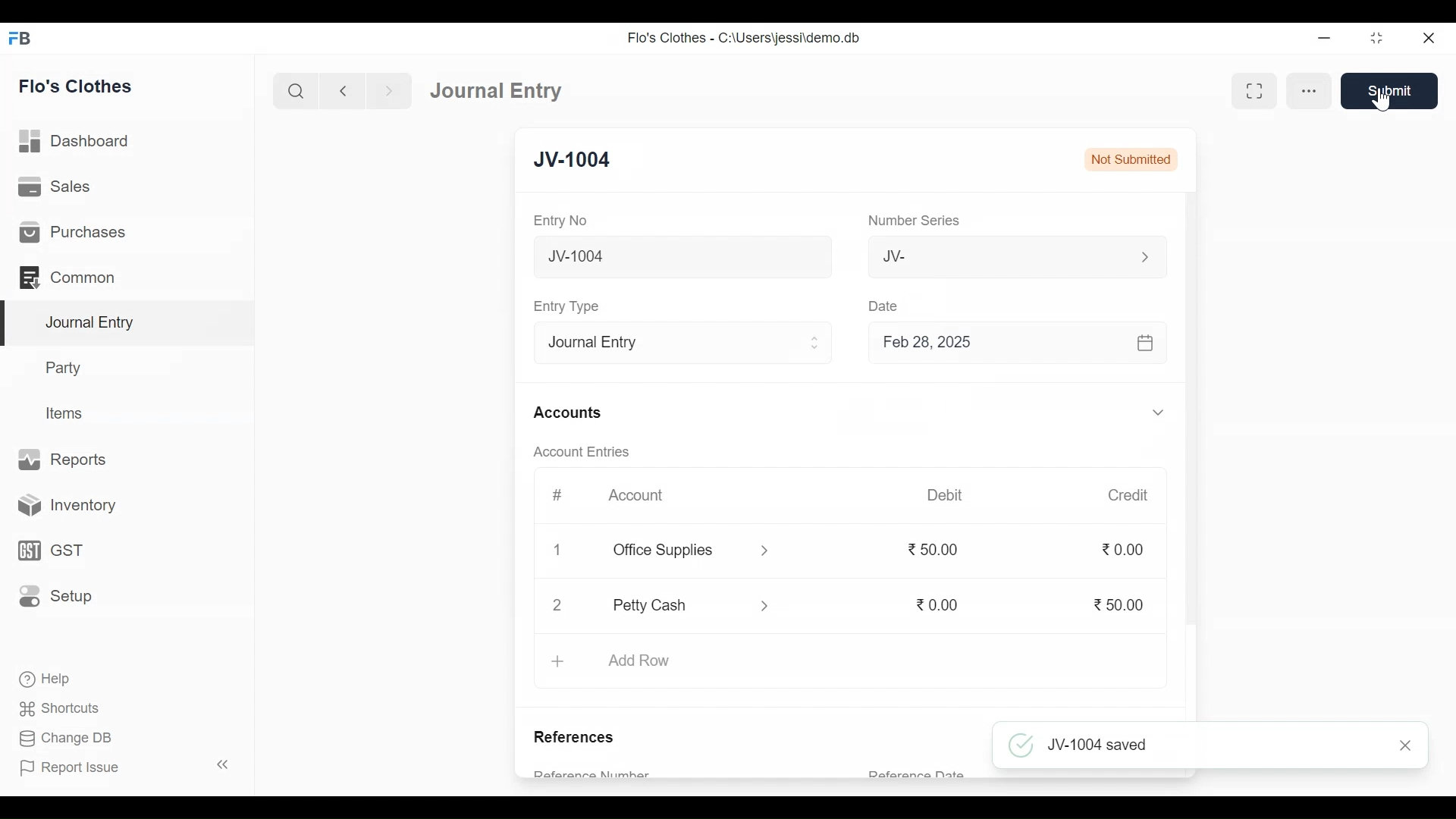 Image resolution: width=1456 pixels, height=819 pixels. What do you see at coordinates (1380, 99) in the screenshot?
I see `Cursor` at bounding box center [1380, 99].